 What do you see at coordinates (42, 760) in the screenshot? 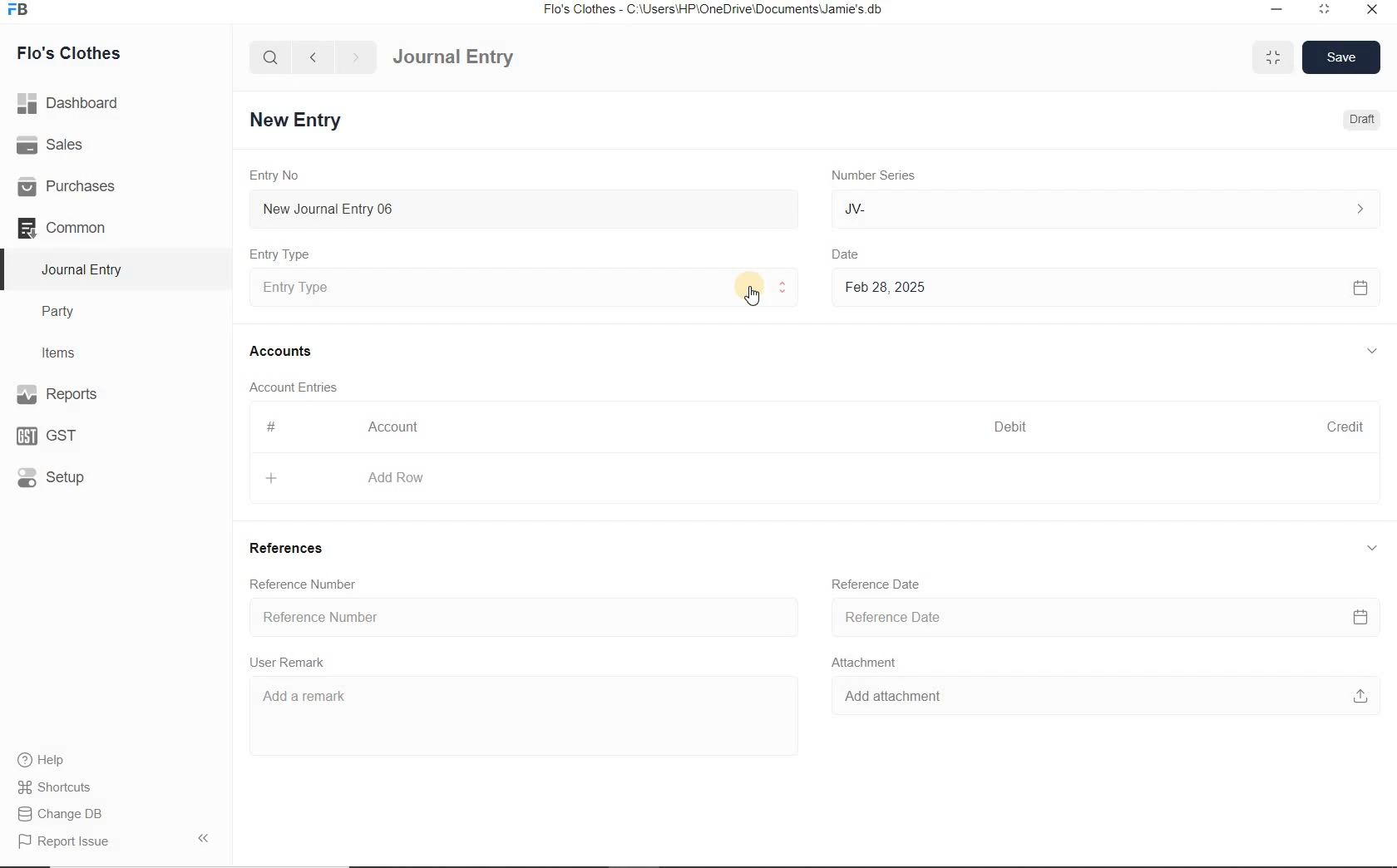
I see `help` at bounding box center [42, 760].